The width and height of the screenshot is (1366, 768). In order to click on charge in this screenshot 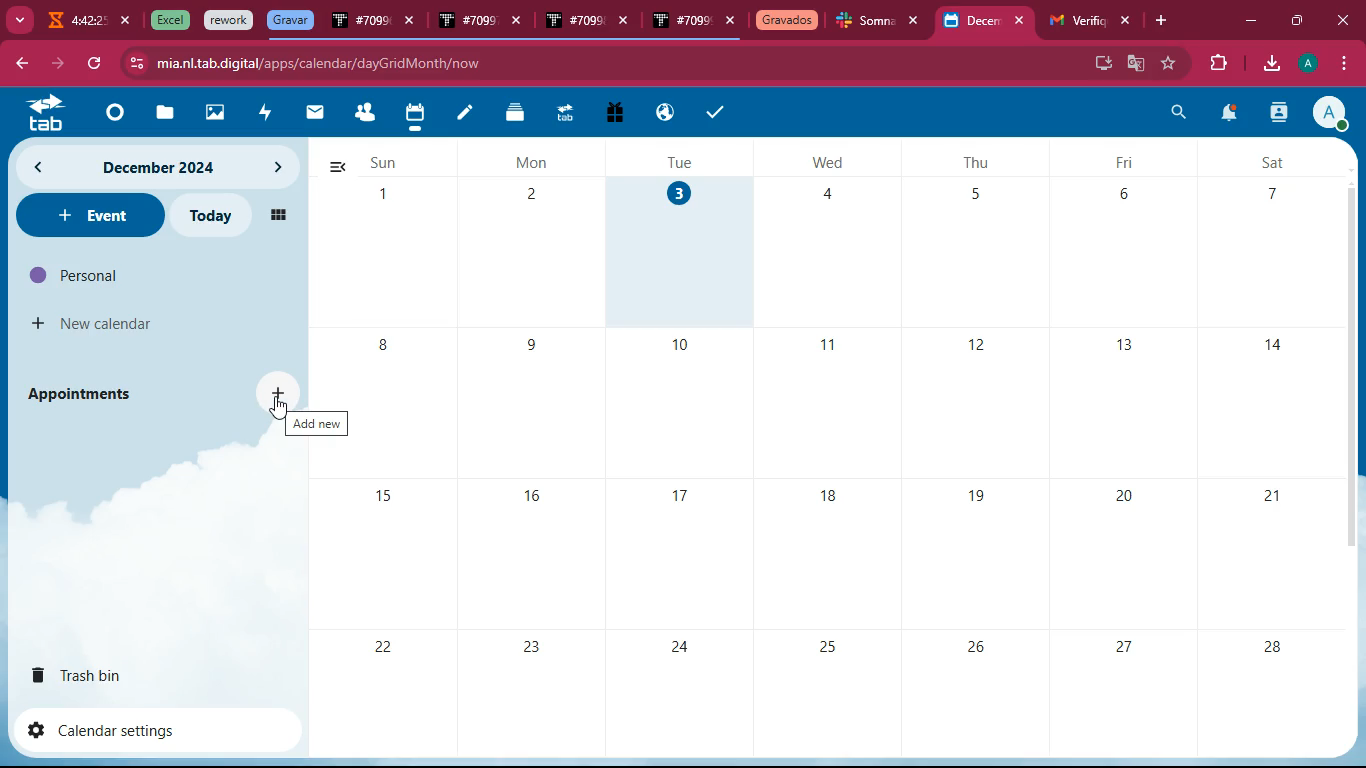, I will do `click(264, 114)`.